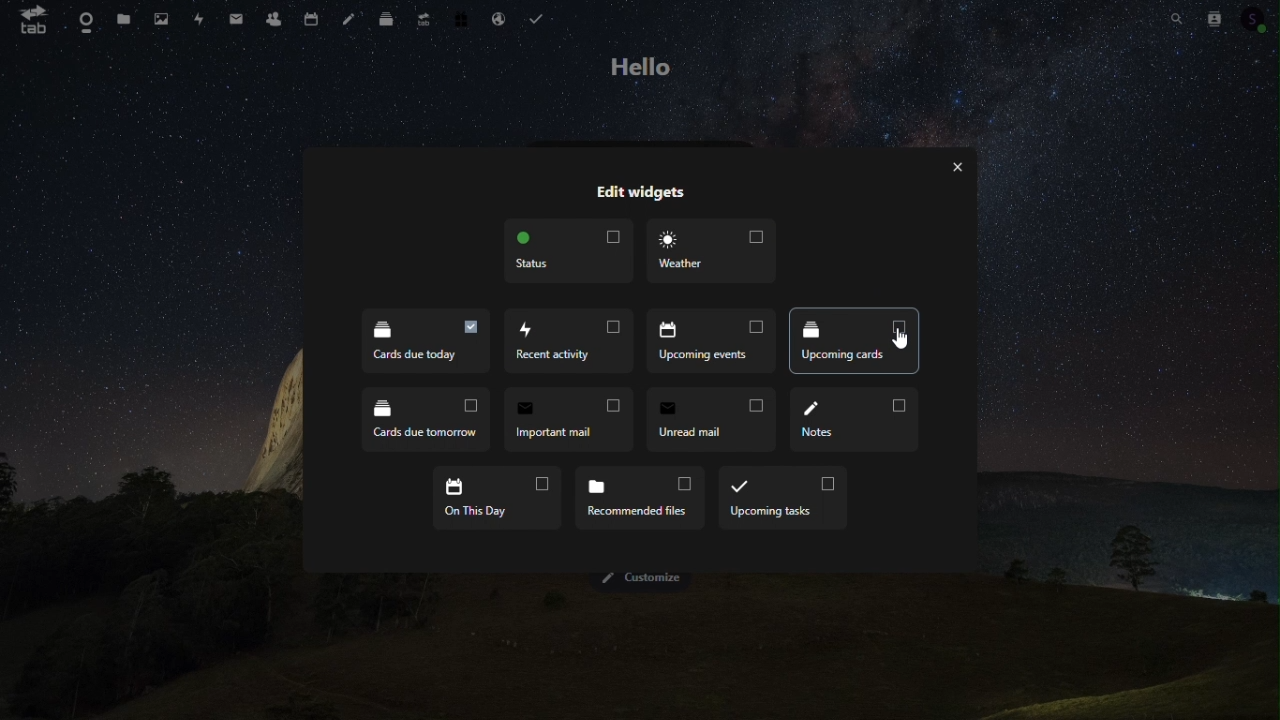 Image resolution: width=1280 pixels, height=720 pixels. I want to click on Calendar, so click(315, 19).